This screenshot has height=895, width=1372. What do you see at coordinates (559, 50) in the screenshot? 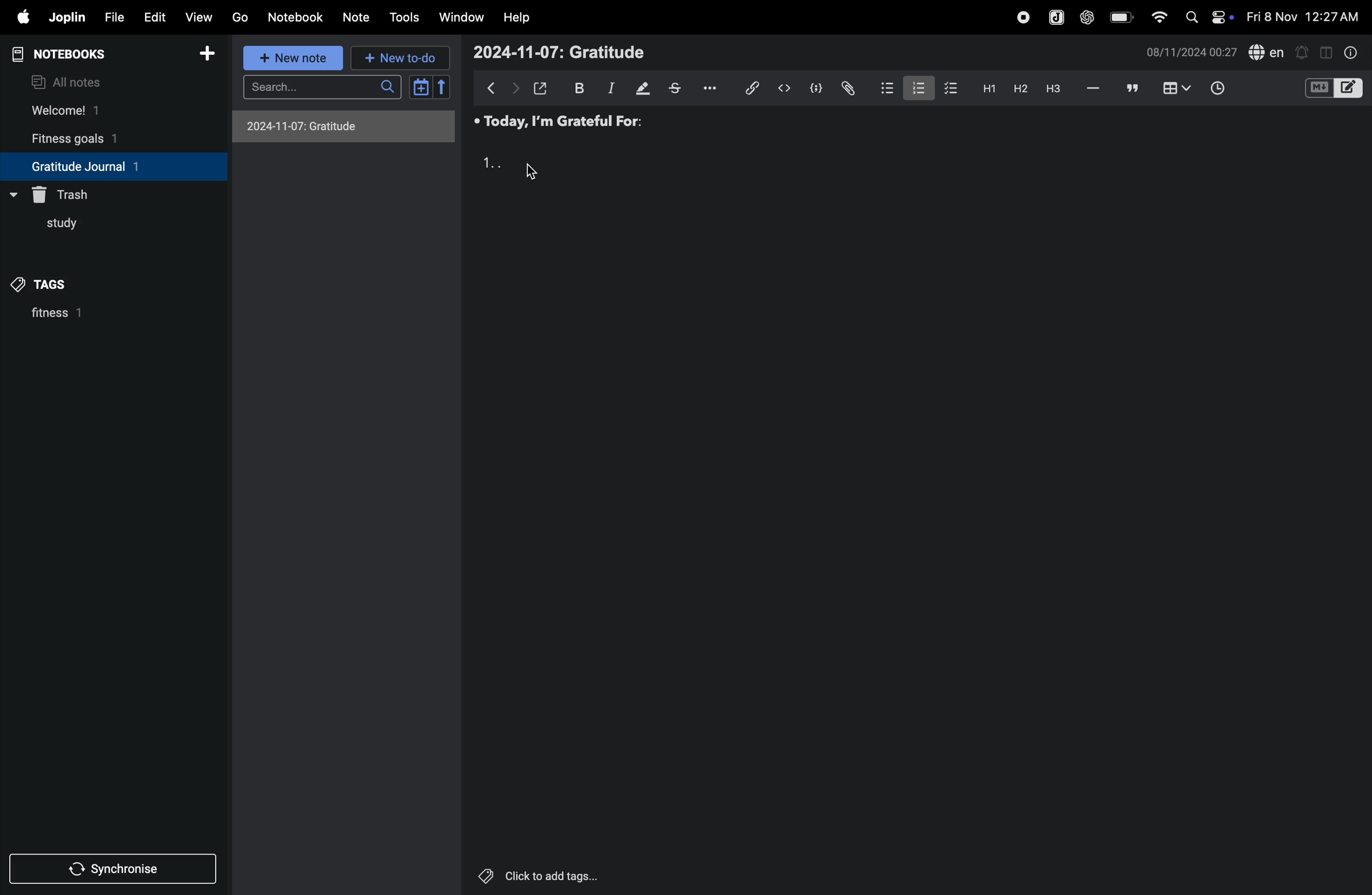
I see `2024-11-07: Gratitude` at bounding box center [559, 50].